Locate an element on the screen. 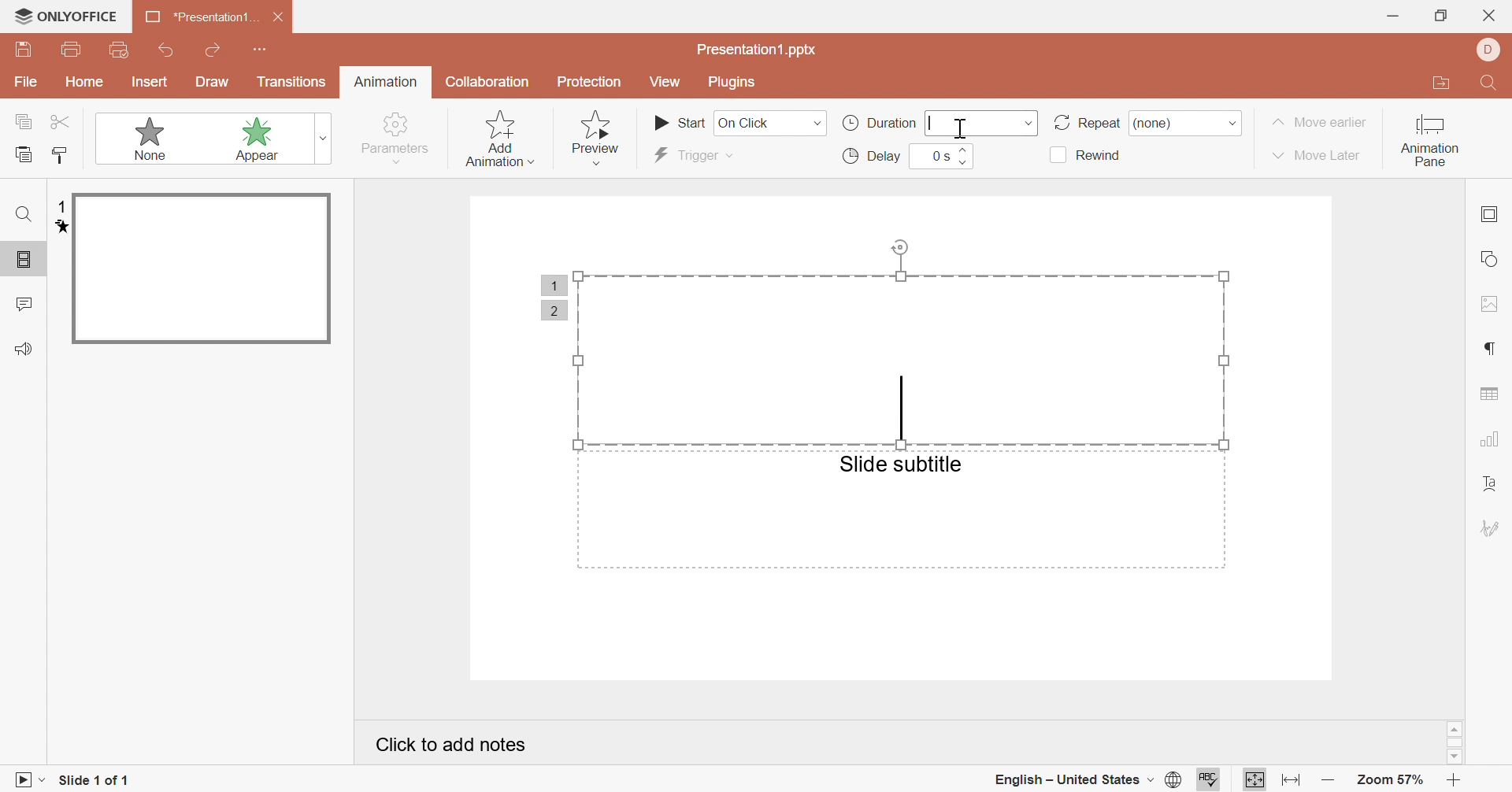  preview is located at coordinates (600, 139).